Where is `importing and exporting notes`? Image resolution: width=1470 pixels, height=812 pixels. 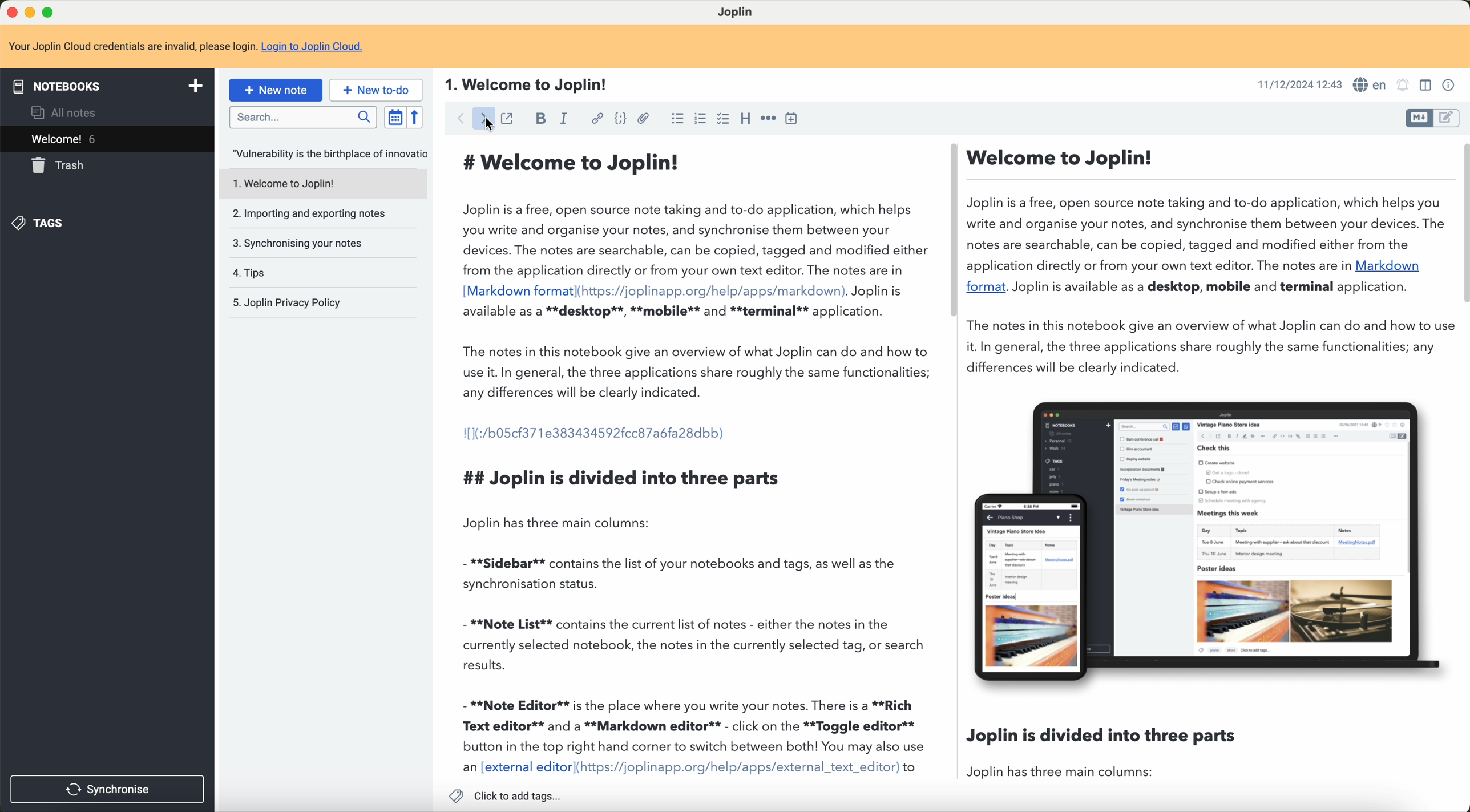
importing and exporting notes is located at coordinates (312, 214).